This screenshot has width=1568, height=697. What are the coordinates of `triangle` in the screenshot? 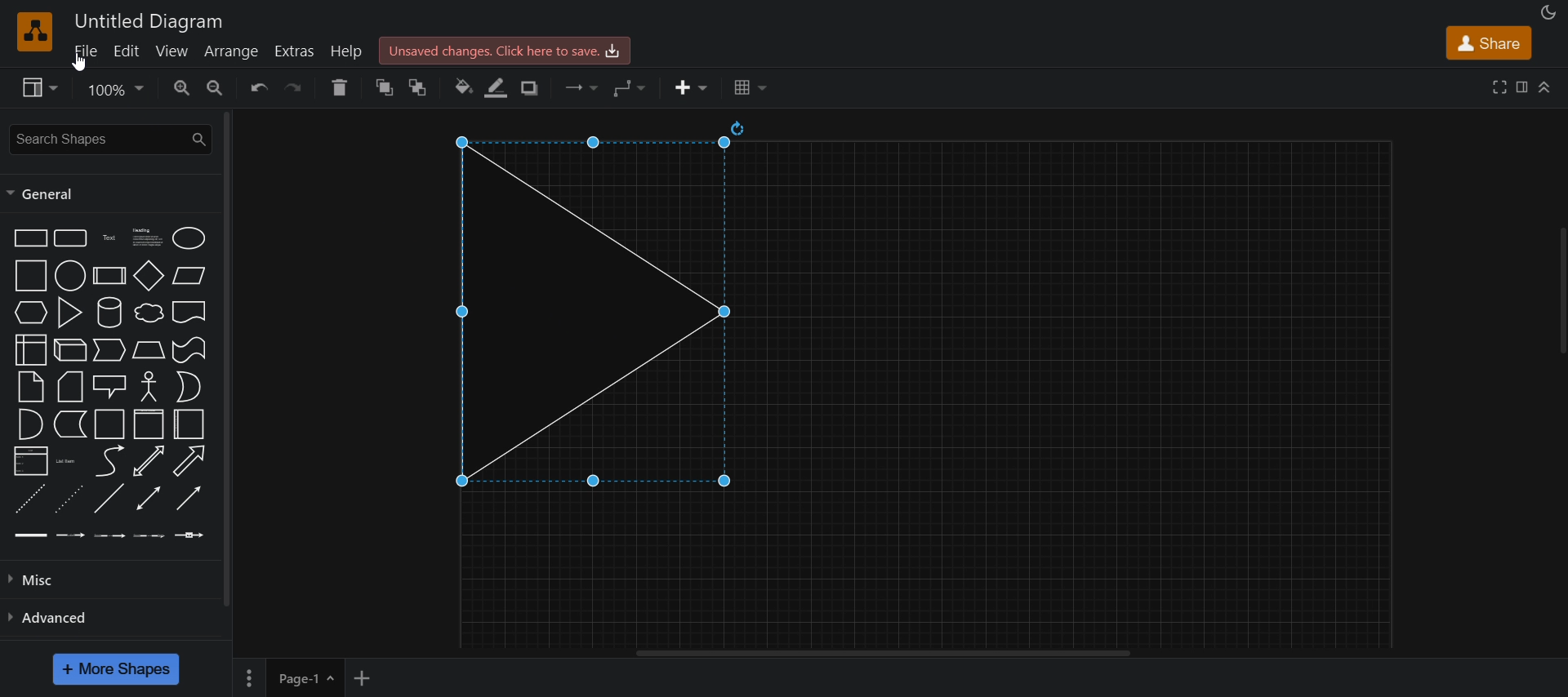 It's located at (71, 313).